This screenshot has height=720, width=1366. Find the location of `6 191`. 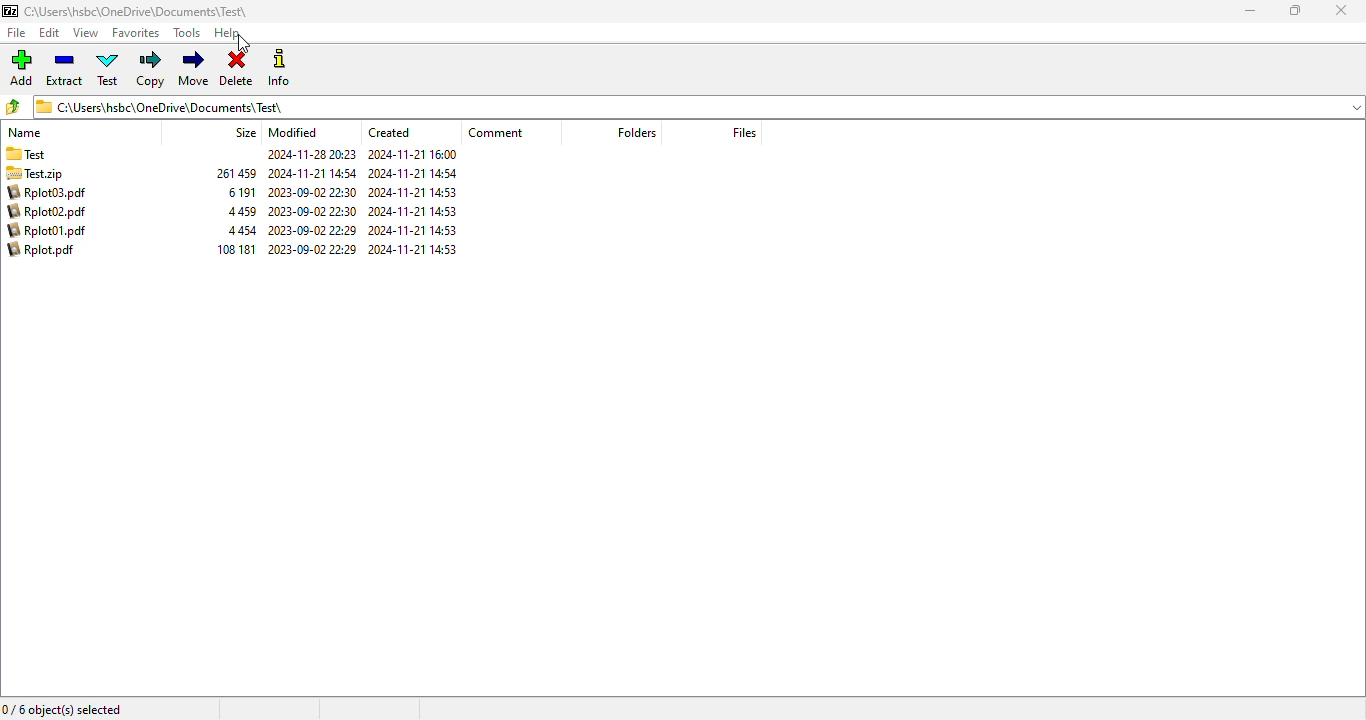

6 191 is located at coordinates (242, 192).